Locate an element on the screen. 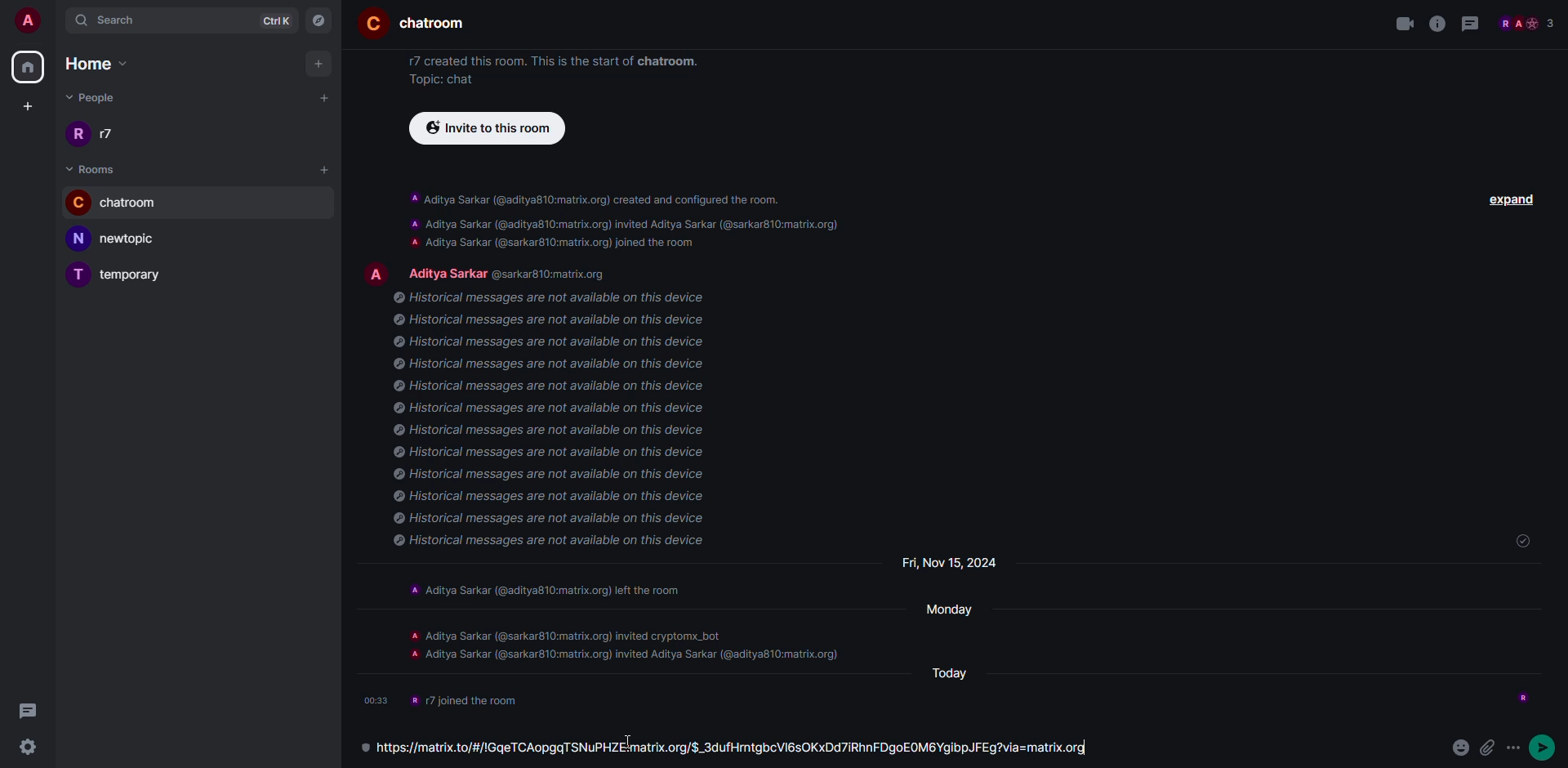  @ Historical messages are not available on this device
© Historical messages are not available on this device
© Historical messages are not available on this device
© Historical messages are not available on this device
© Historical messages are not available on this device
© Historical messages are not available on this device
© Historical messages are not available on this device
© Historical messages are not available on this device
© Historical messages are not available on this device
© Historical messages are not available on this device
© Historical messages are not available on this device
© Historical messages are not available on this device is located at coordinates (563, 424).